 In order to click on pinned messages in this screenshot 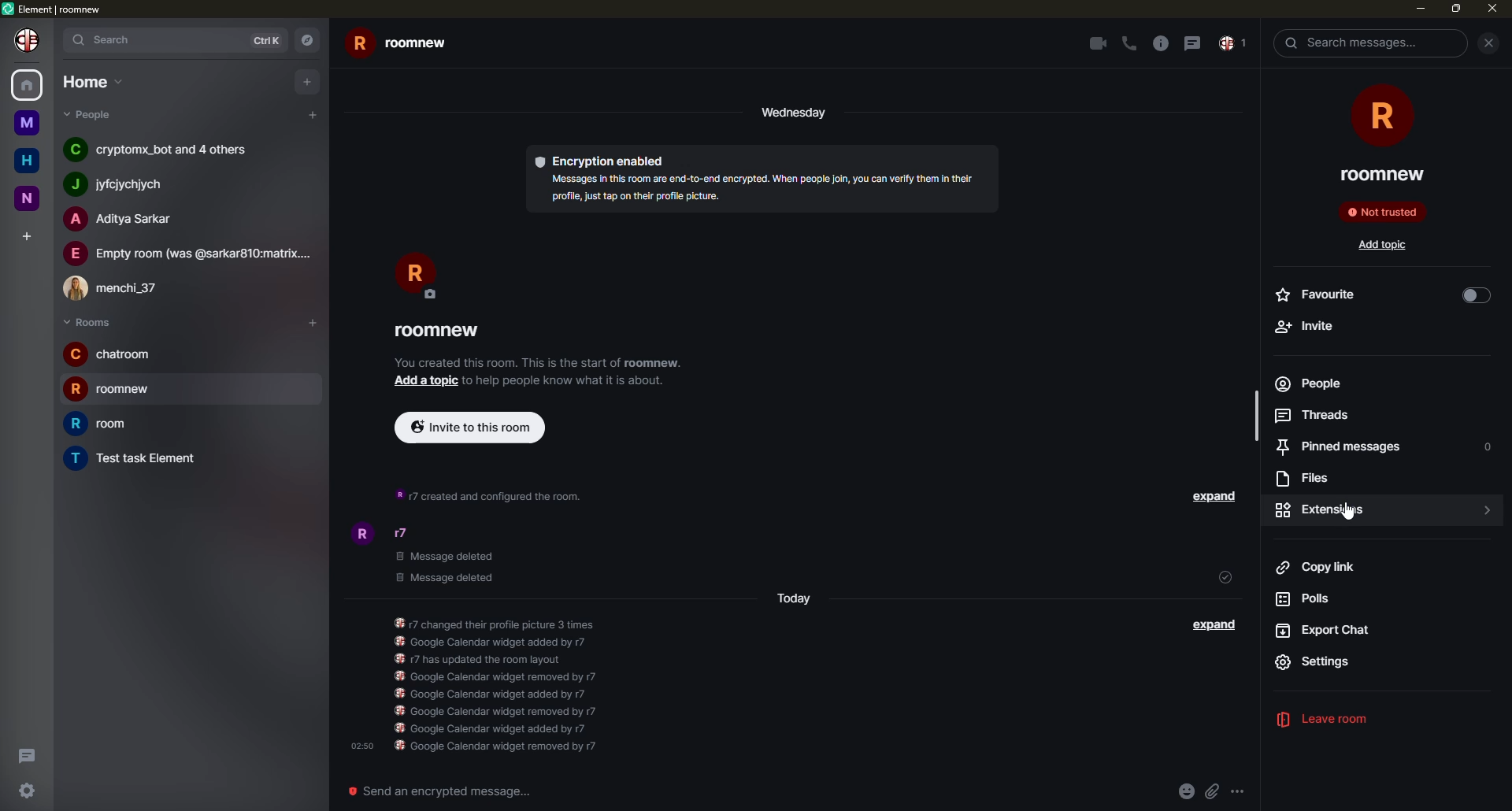, I will do `click(1343, 448)`.